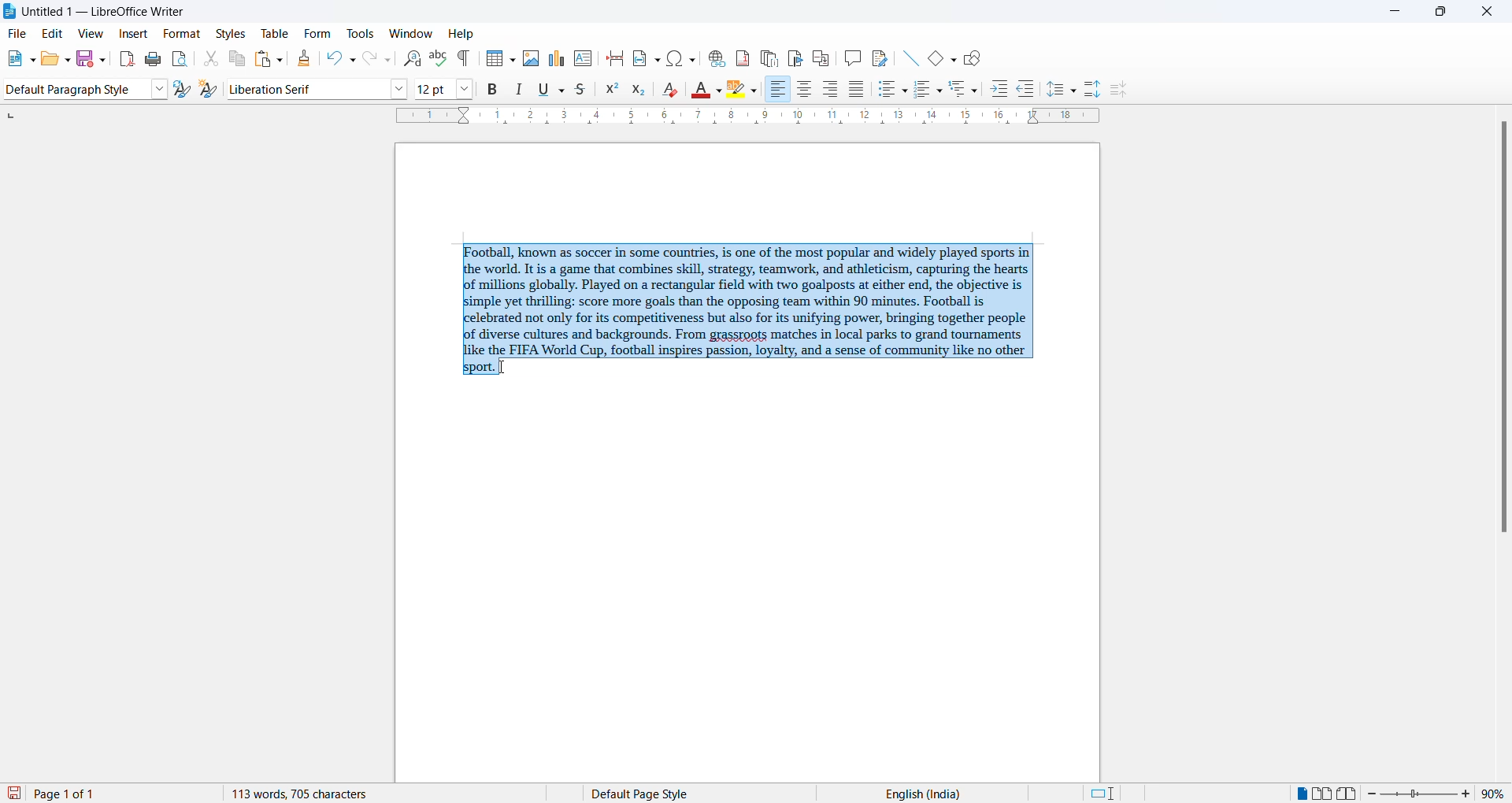  Describe the element at coordinates (857, 89) in the screenshot. I see `justified` at that location.